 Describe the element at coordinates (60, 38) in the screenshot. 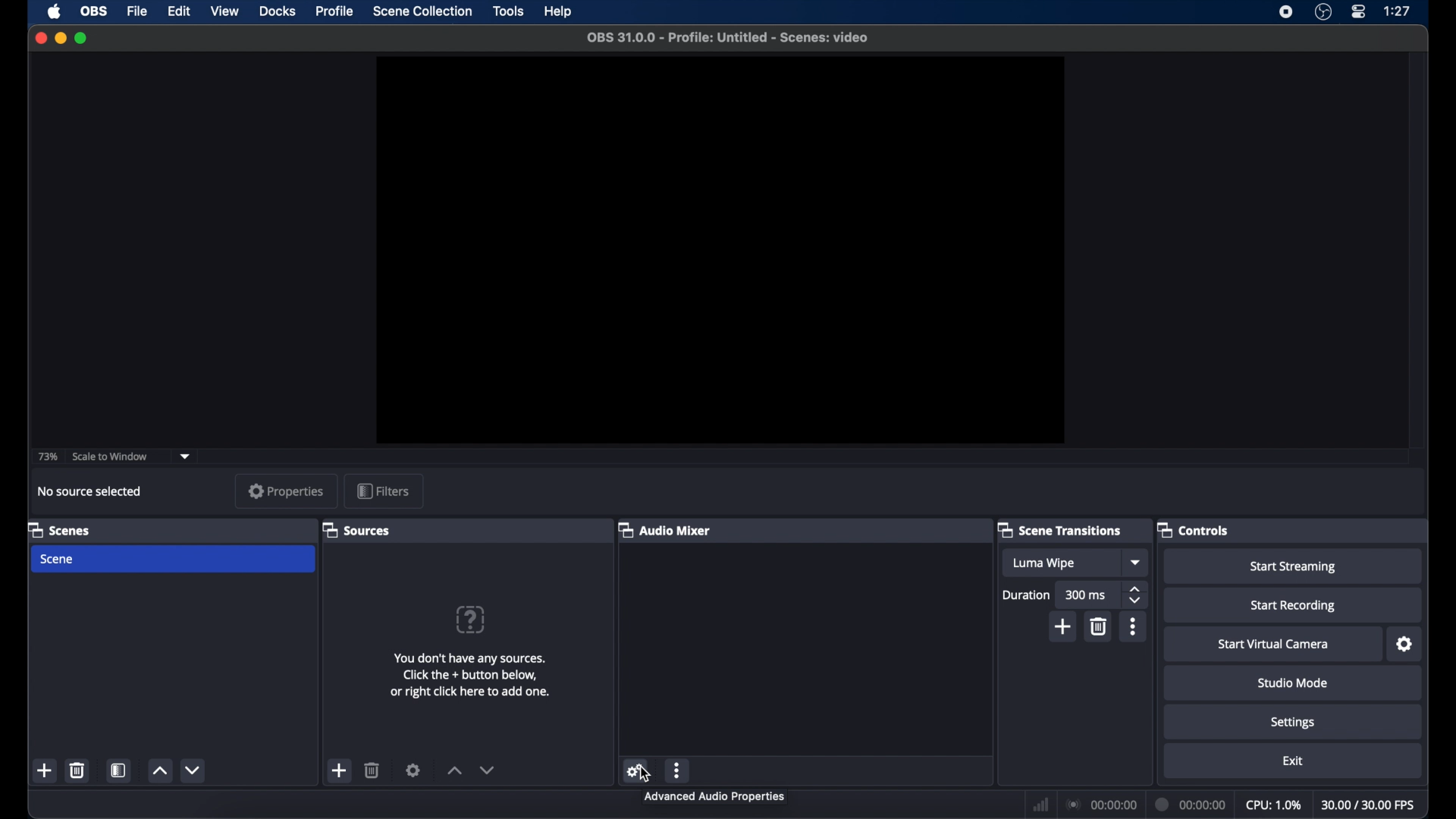

I see `minimize` at that location.